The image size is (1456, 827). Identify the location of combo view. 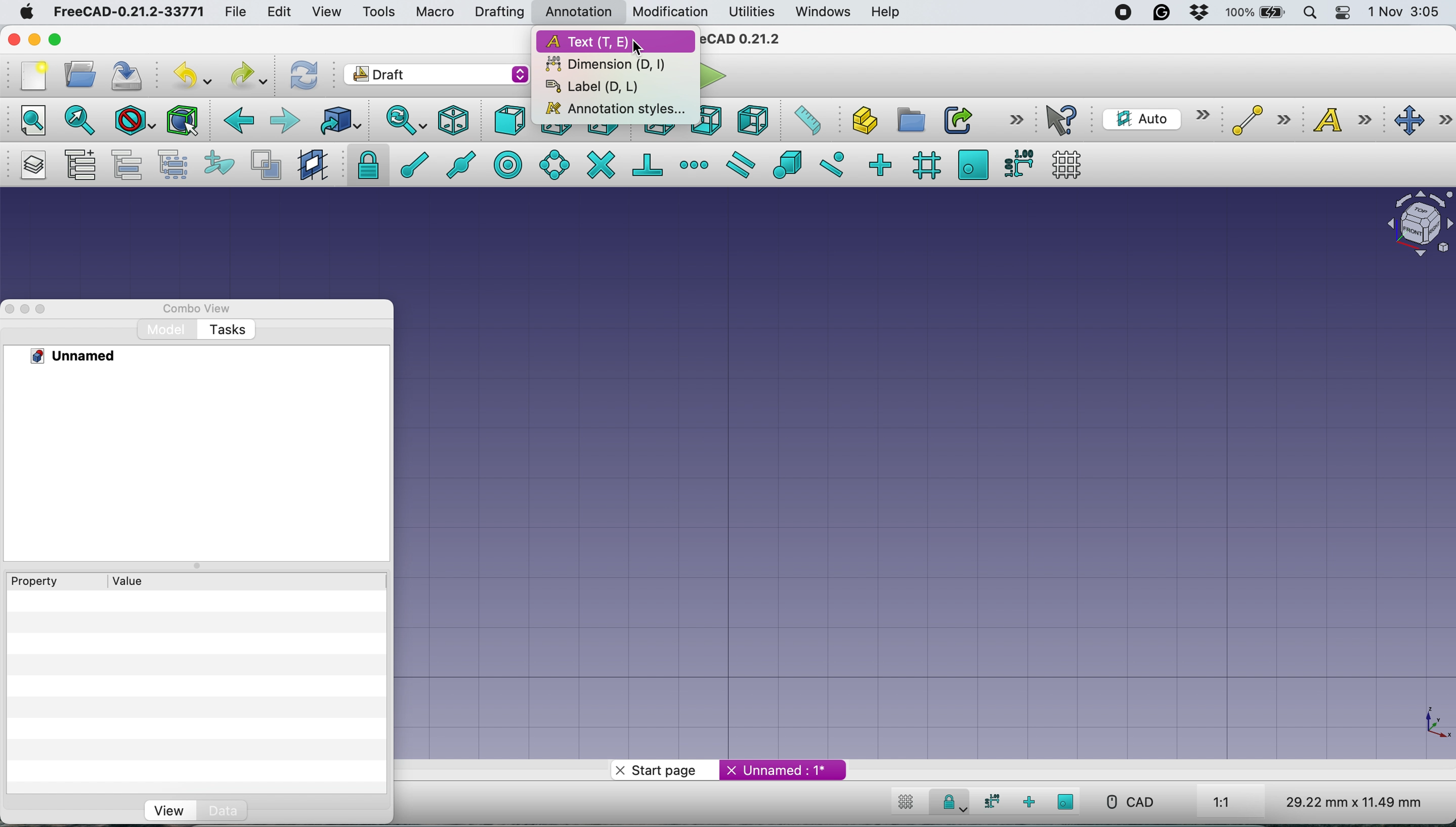
(189, 307).